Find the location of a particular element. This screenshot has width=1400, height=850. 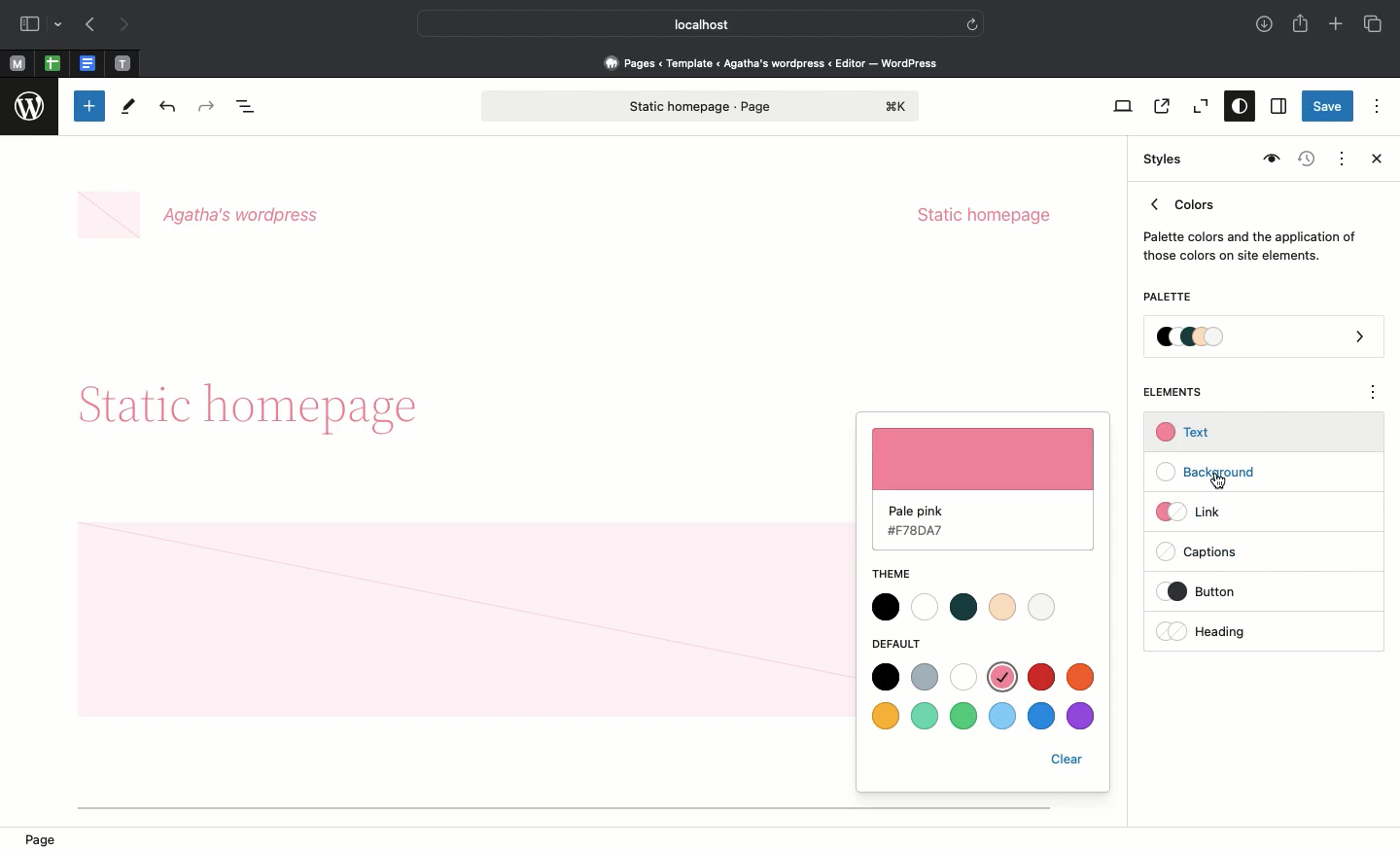

Palette is located at coordinates (1167, 299).